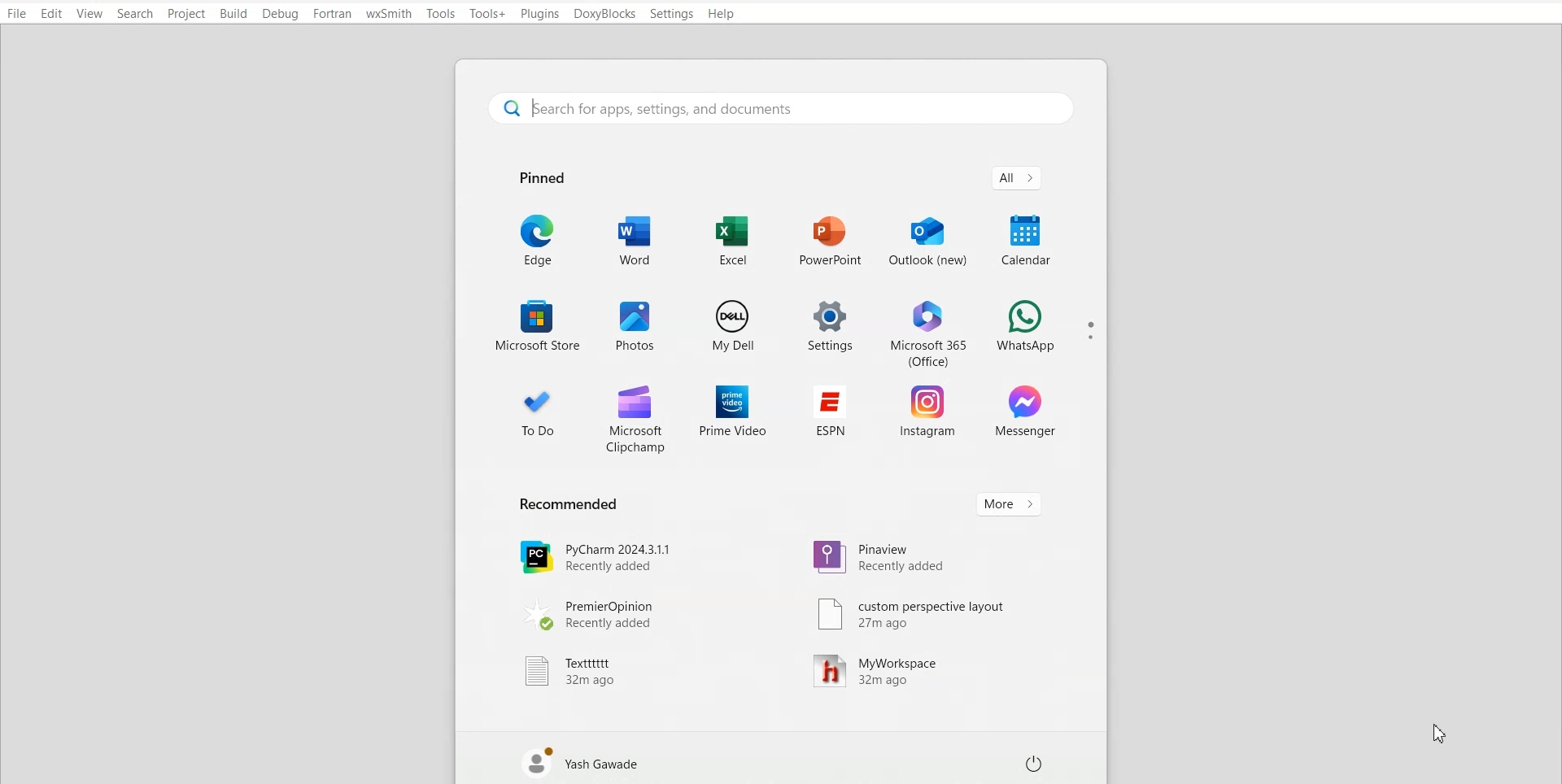  I want to click on Search bar, so click(781, 108).